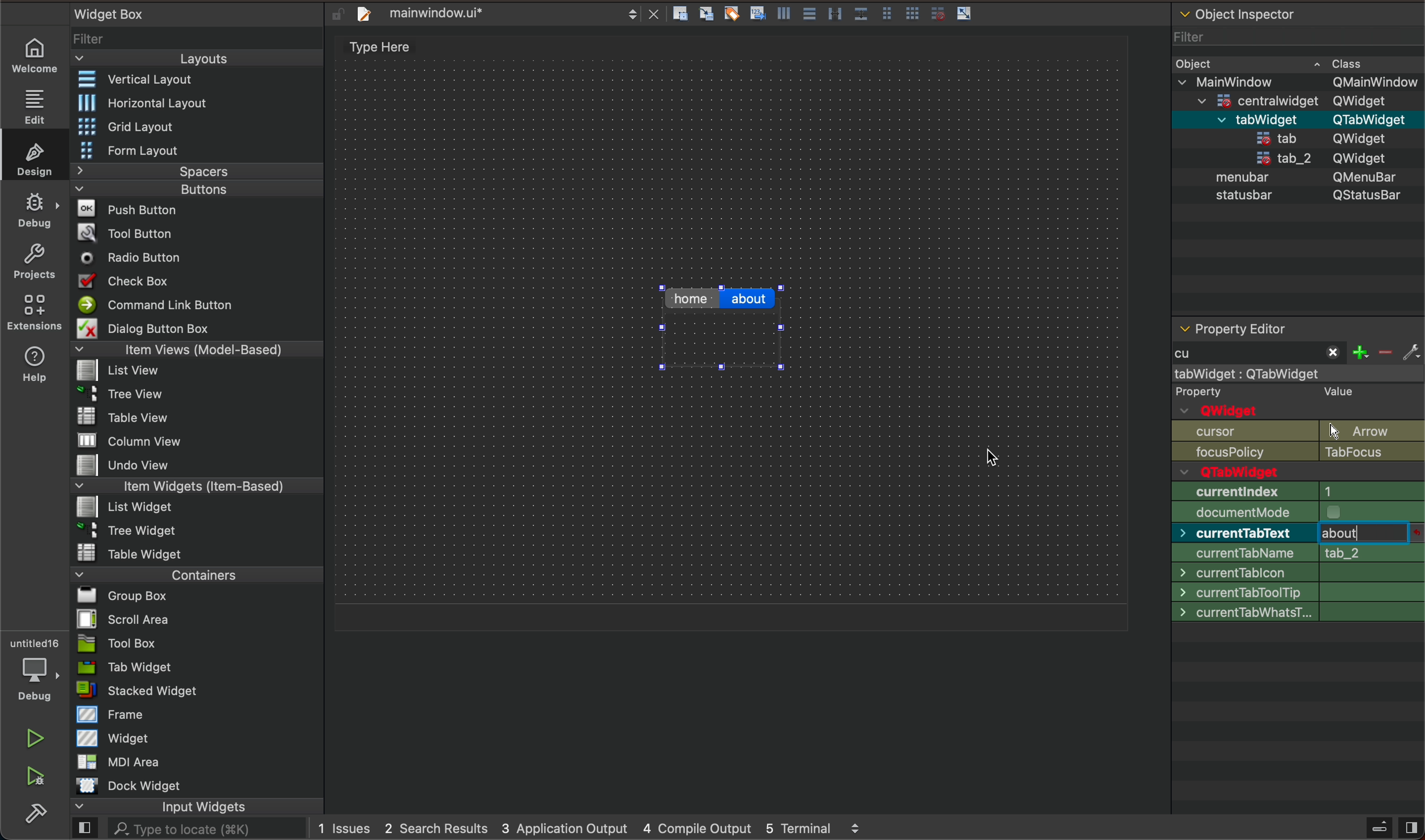 This screenshot has width=1425, height=840. What do you see at coordinates (1294, 98) in the screenshot?
I see `=centralwidaet OWidaet` at bounding box center [1294, 98].